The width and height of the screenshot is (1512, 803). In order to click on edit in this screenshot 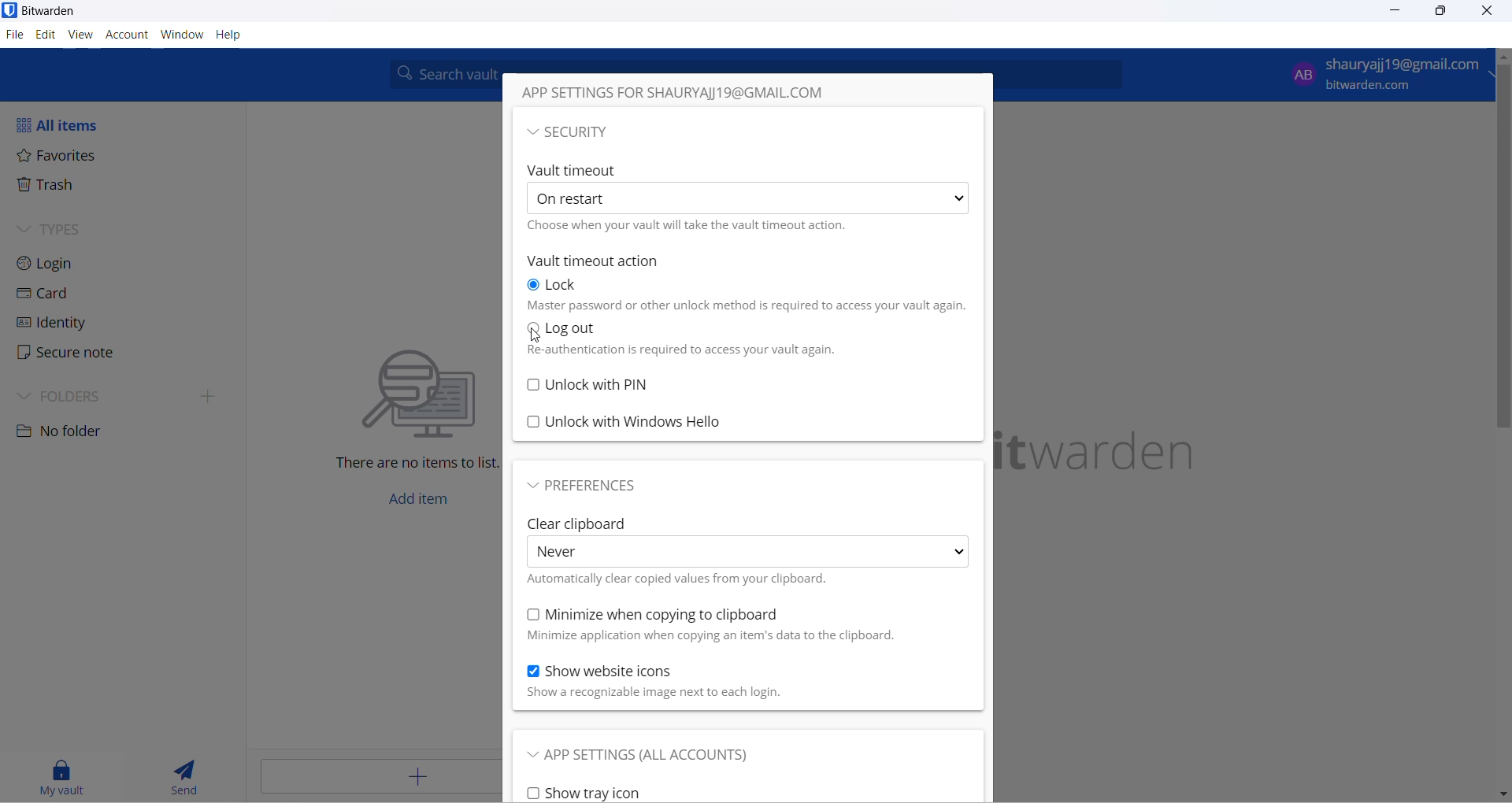, I will do `click(46, 35)`.